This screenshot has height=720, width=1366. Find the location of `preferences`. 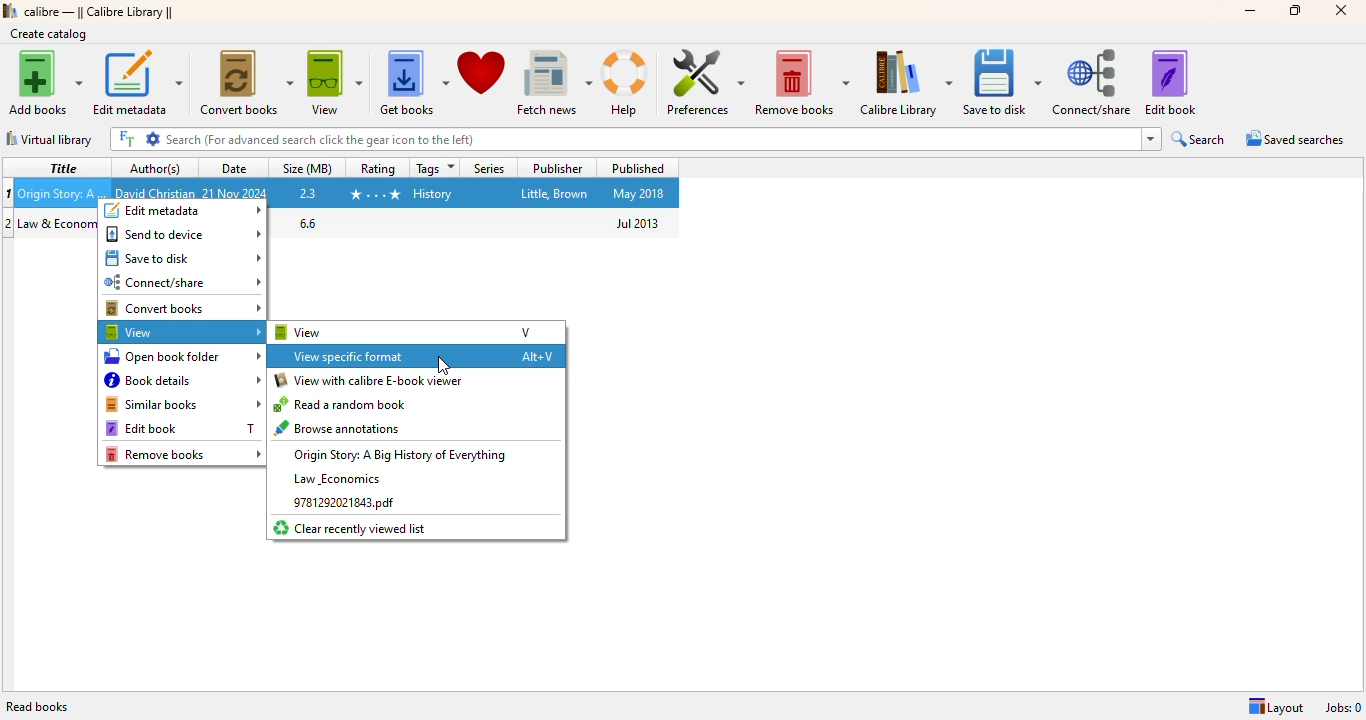

preferences is located at coordinates (703, 82).